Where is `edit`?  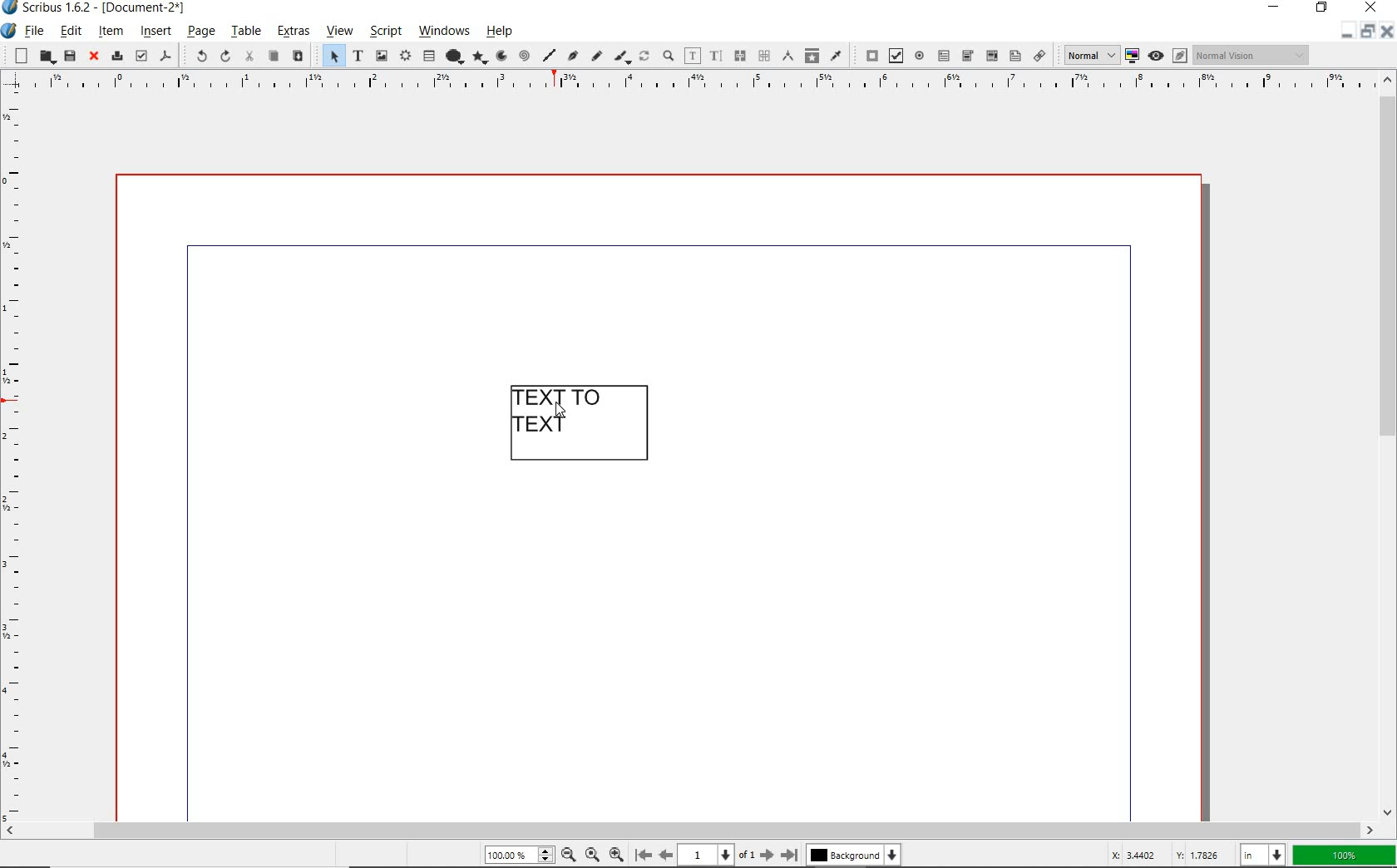
edit is located at coordinates (72, 31).